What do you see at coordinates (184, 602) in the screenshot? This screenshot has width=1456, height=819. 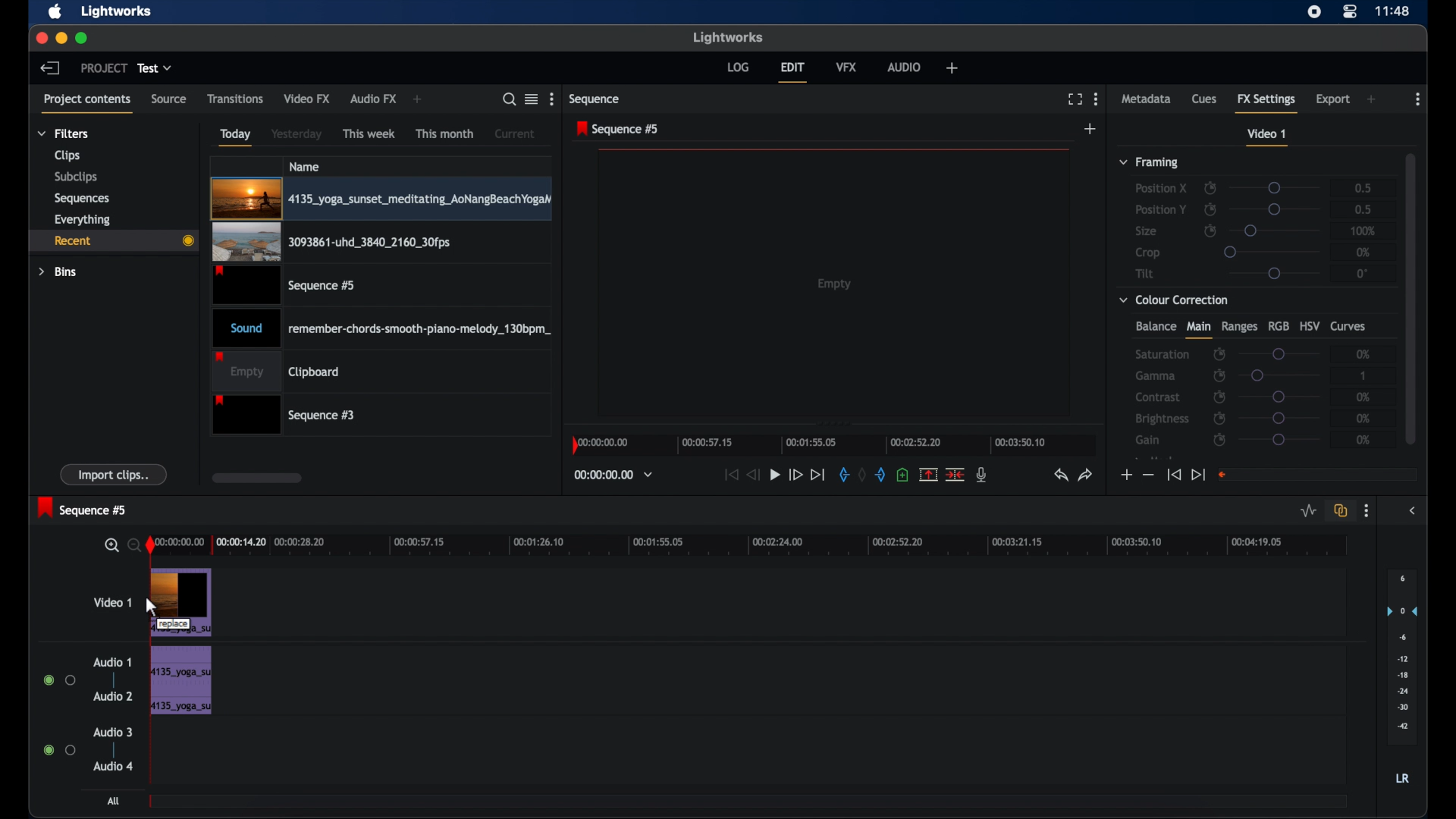 I see `video` at bounding box center [184, 602].